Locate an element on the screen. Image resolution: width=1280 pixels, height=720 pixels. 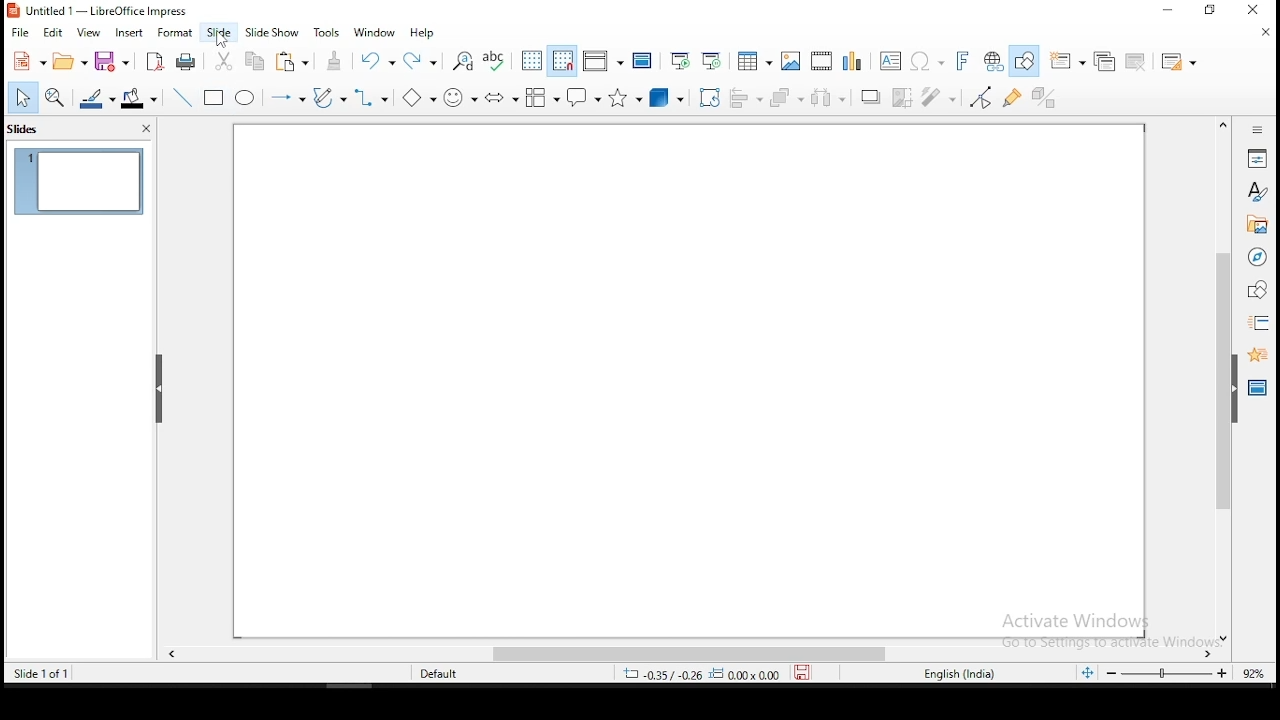
close window is located at coordinates (1254, 9).